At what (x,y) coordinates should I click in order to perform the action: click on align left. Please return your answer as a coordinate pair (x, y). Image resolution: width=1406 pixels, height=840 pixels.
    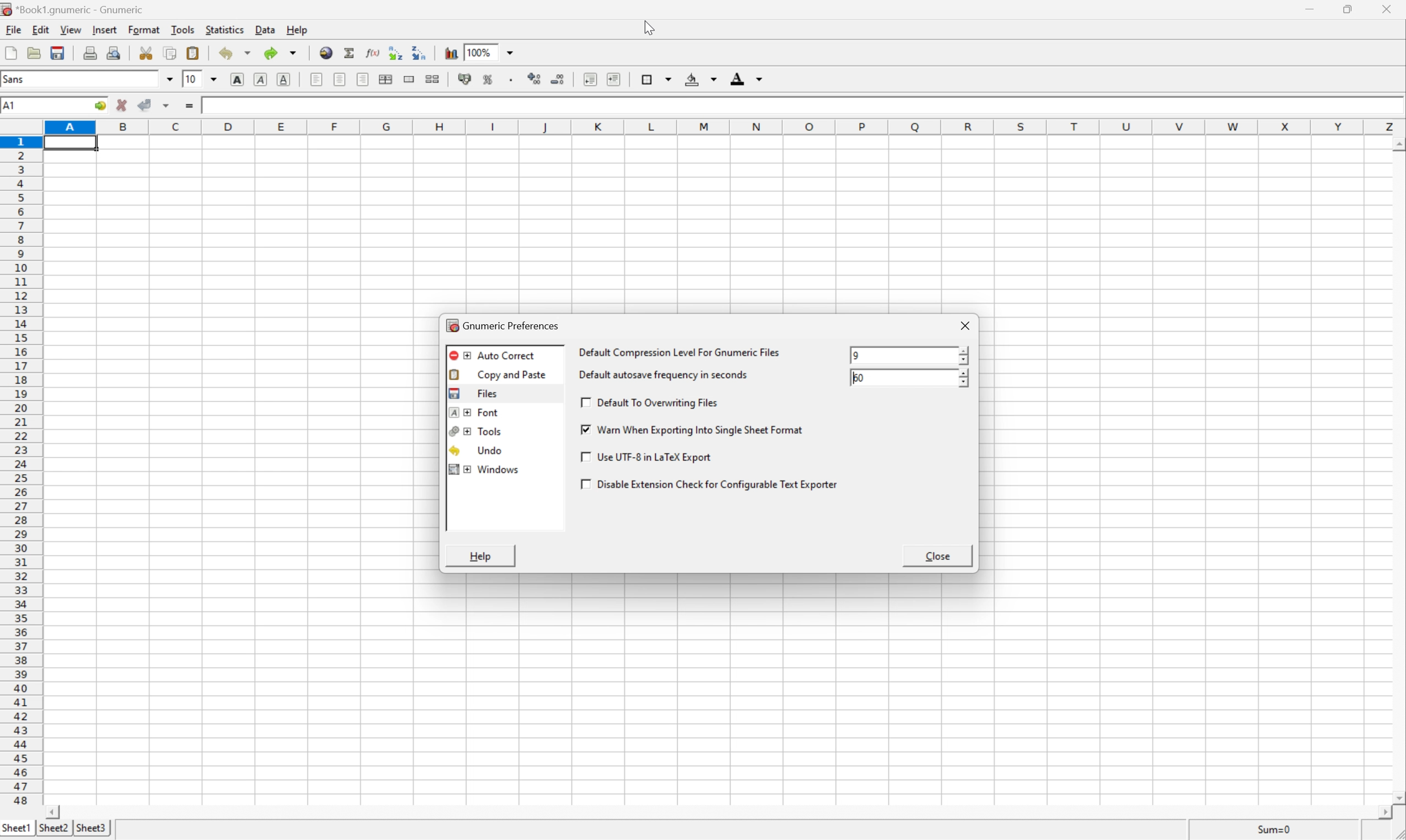
    Looking at the image, I should click on (317, 79).